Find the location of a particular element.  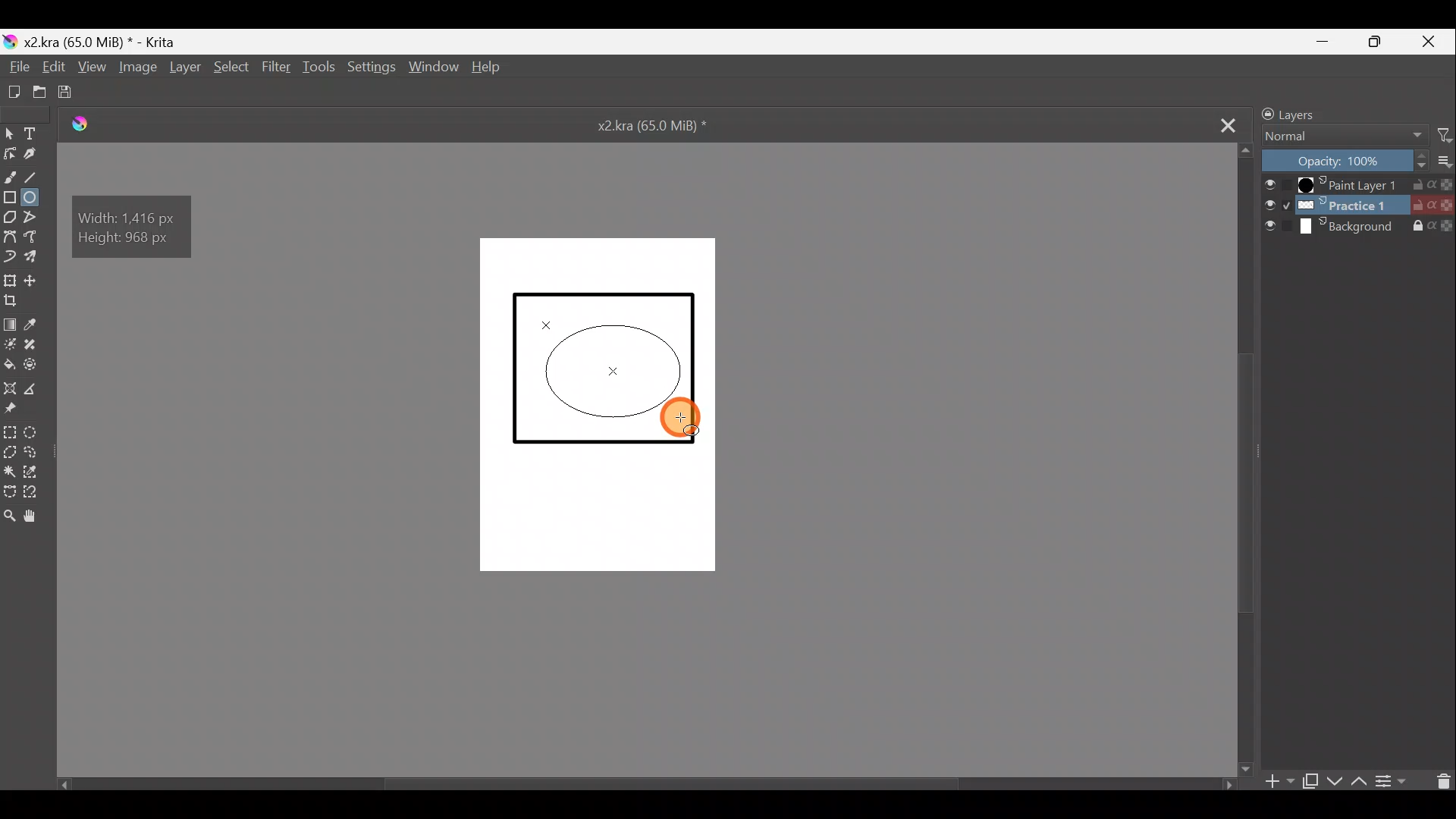

Practice 1 is located at coordinates (1359, 206).